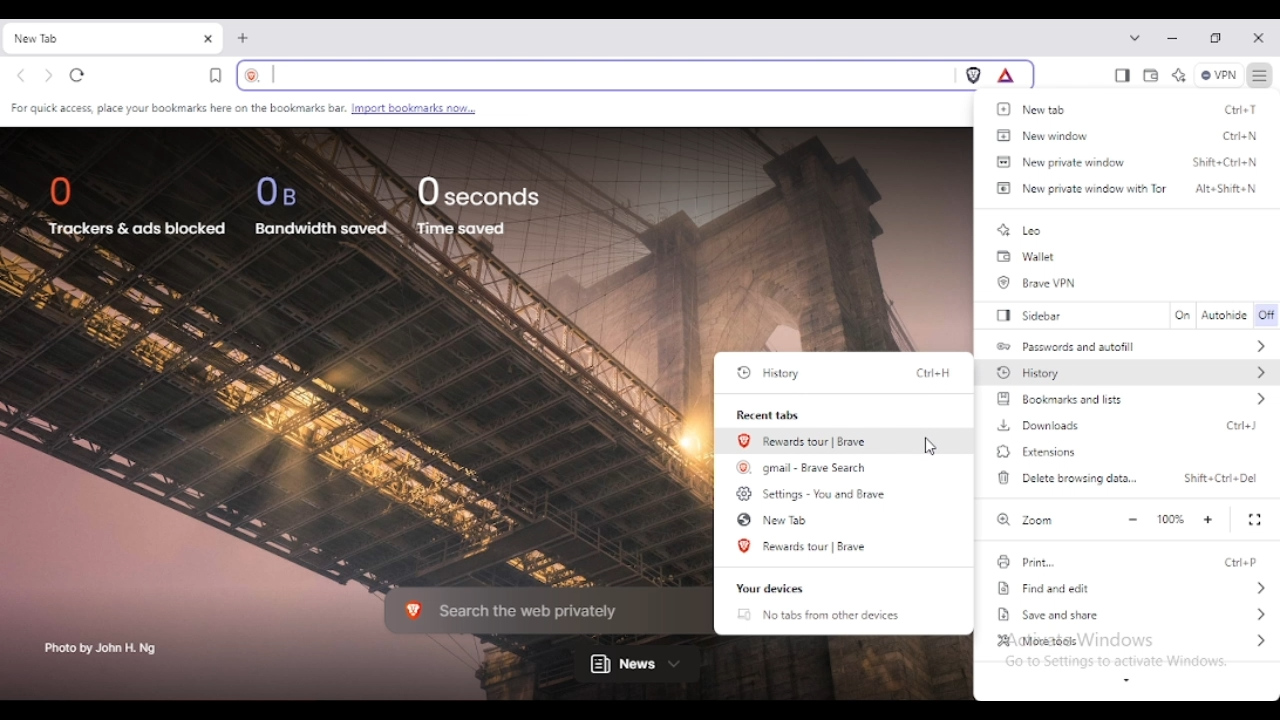 This screenshot has height=720, width=1280. I want to click on close, so click(1258, 39).